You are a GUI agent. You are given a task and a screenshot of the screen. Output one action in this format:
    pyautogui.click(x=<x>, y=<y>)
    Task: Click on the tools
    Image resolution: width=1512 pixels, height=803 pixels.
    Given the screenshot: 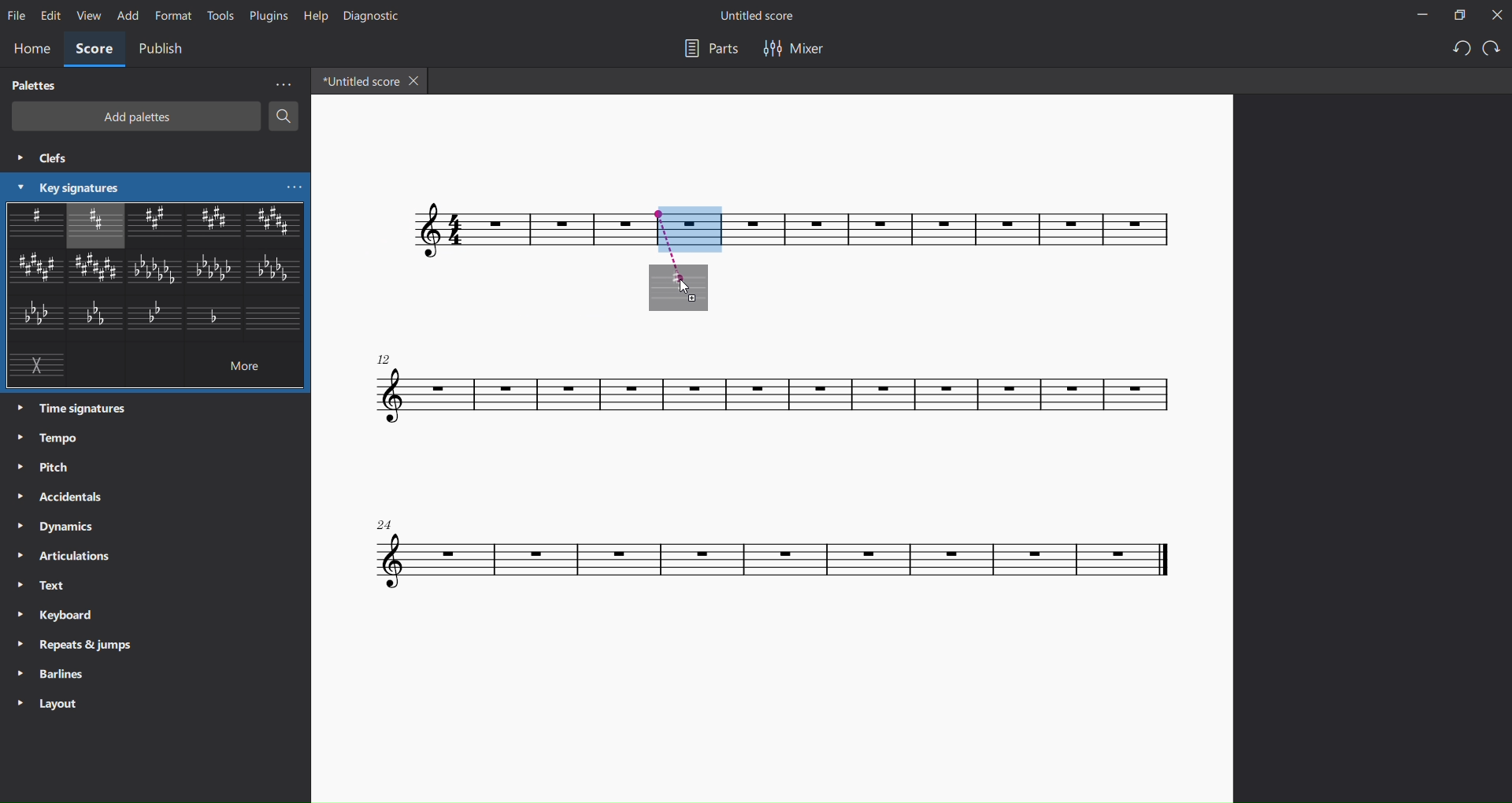 What is the action you would take?
    pyautogui.click(x=219, y=13)
    